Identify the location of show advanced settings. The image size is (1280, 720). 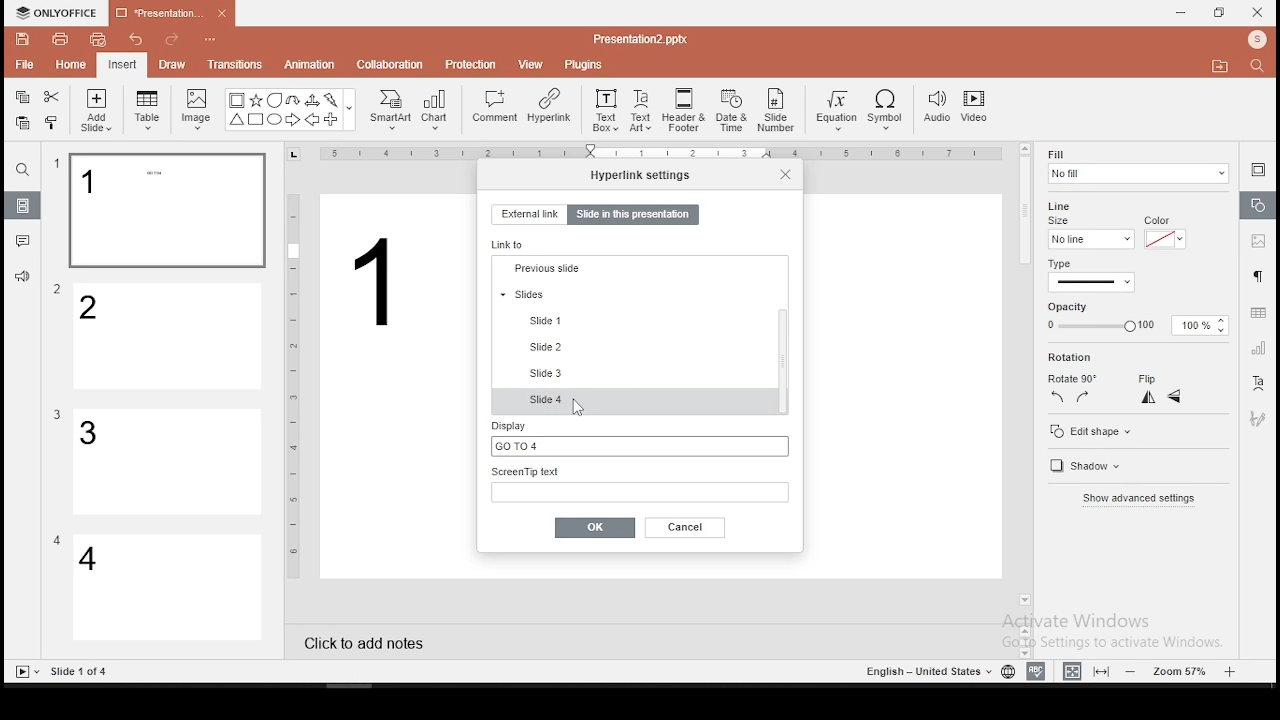
(1137, 501).